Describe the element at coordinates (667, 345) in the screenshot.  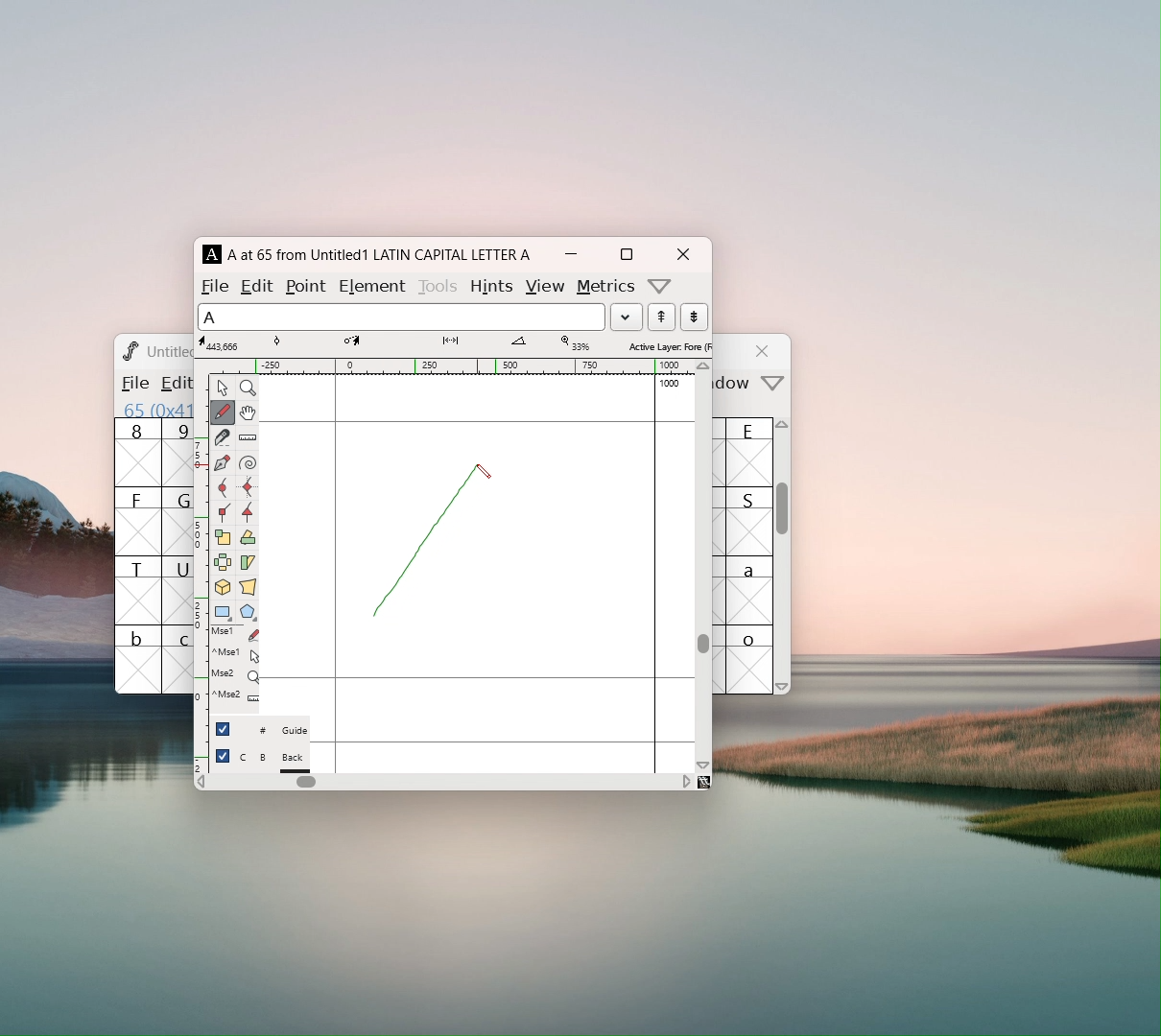
I see `selected layer` at that location.